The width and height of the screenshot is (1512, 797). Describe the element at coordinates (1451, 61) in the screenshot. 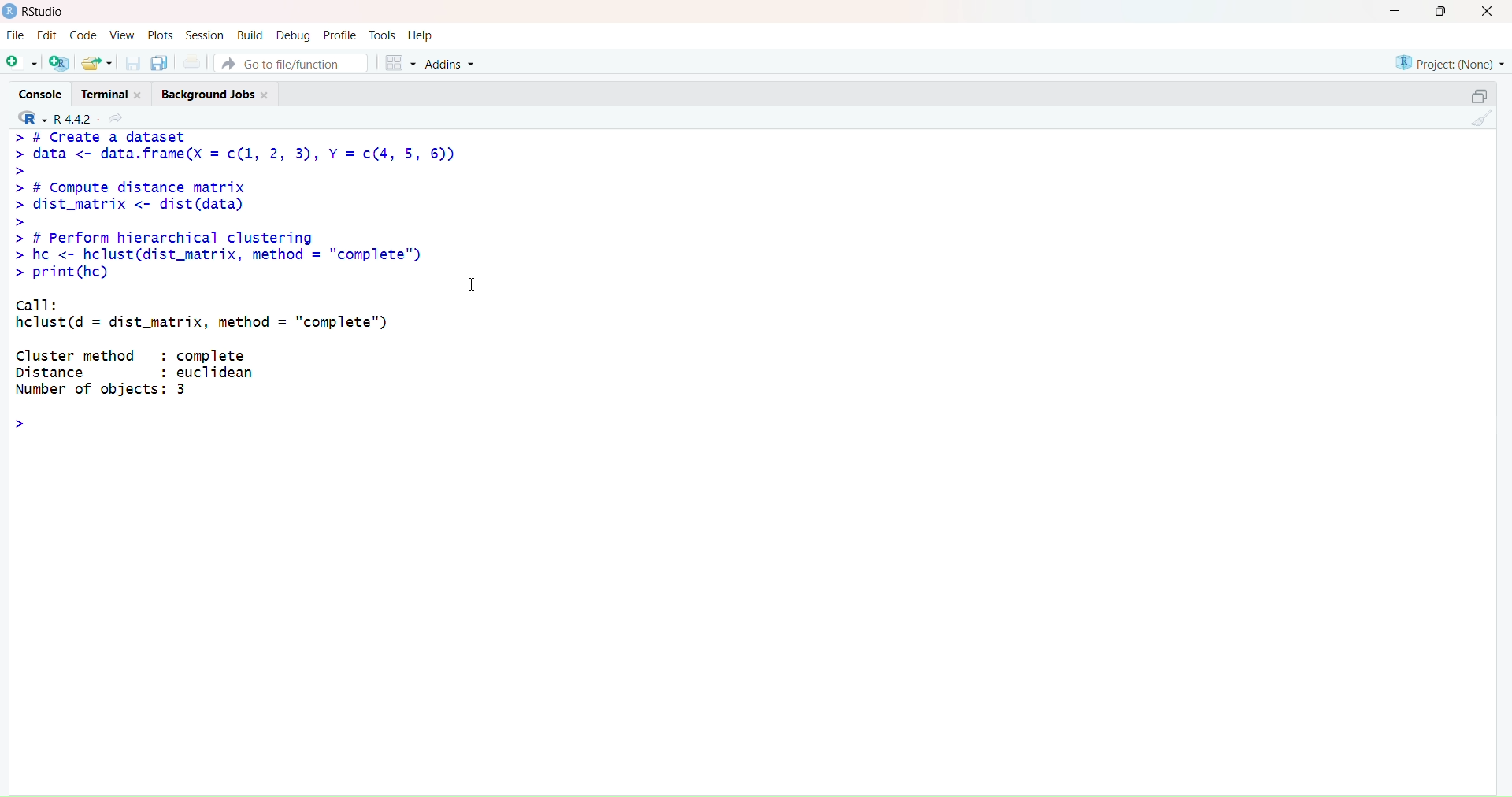

I see `Project (Note)` at that location.